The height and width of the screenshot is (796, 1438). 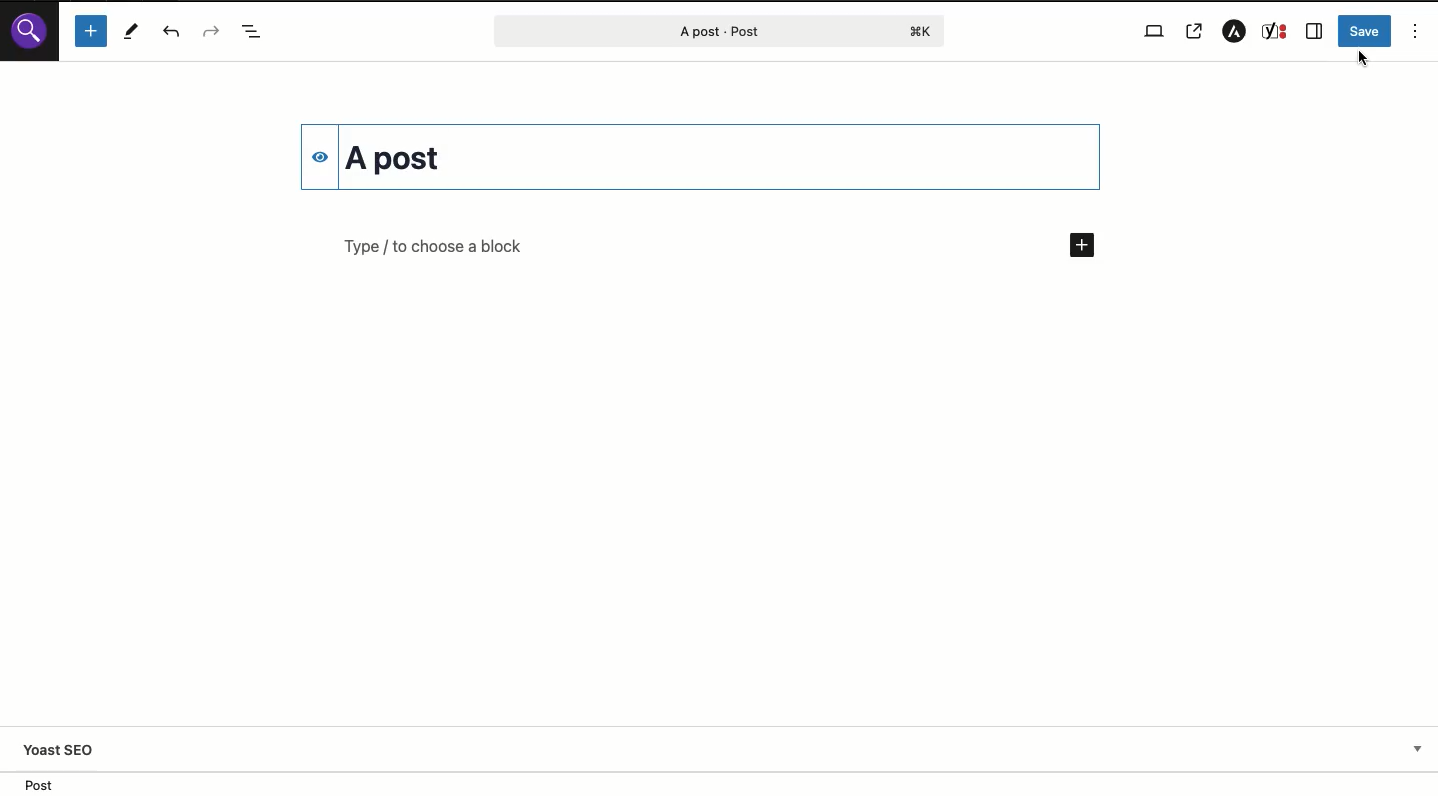 I want to click on Sidebar, so click(x=1315, y=31).